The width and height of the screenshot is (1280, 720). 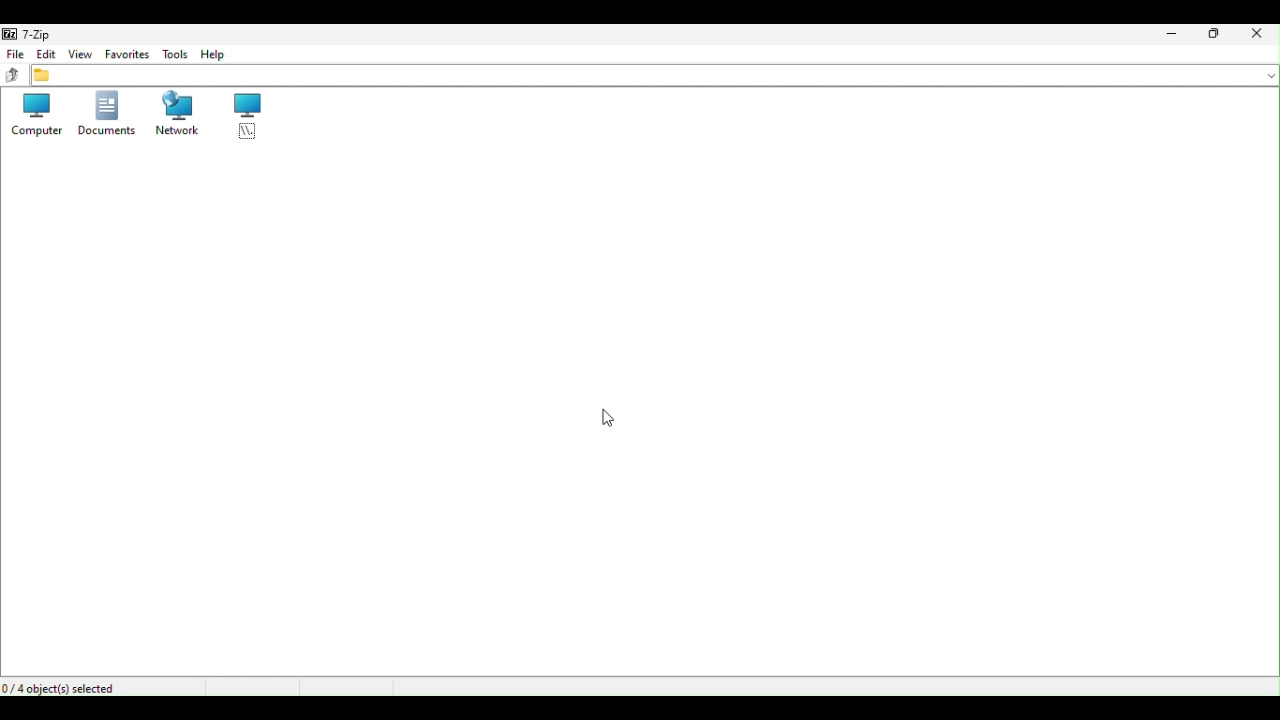 I want to click on Minimise , so click(x=1171, y=35).